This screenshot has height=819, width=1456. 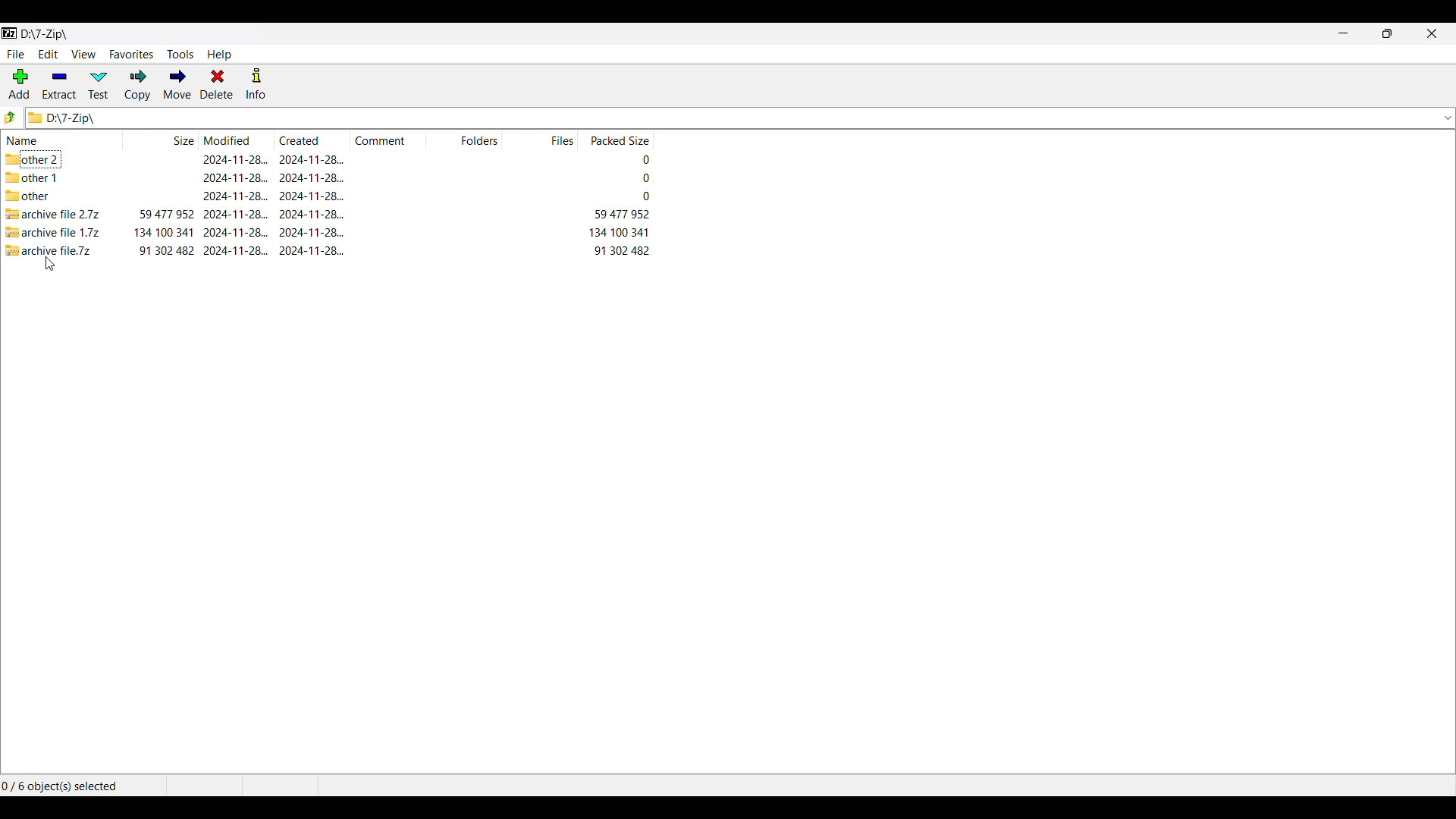 I want to click on modified date & time, so click(x=236, y=177).